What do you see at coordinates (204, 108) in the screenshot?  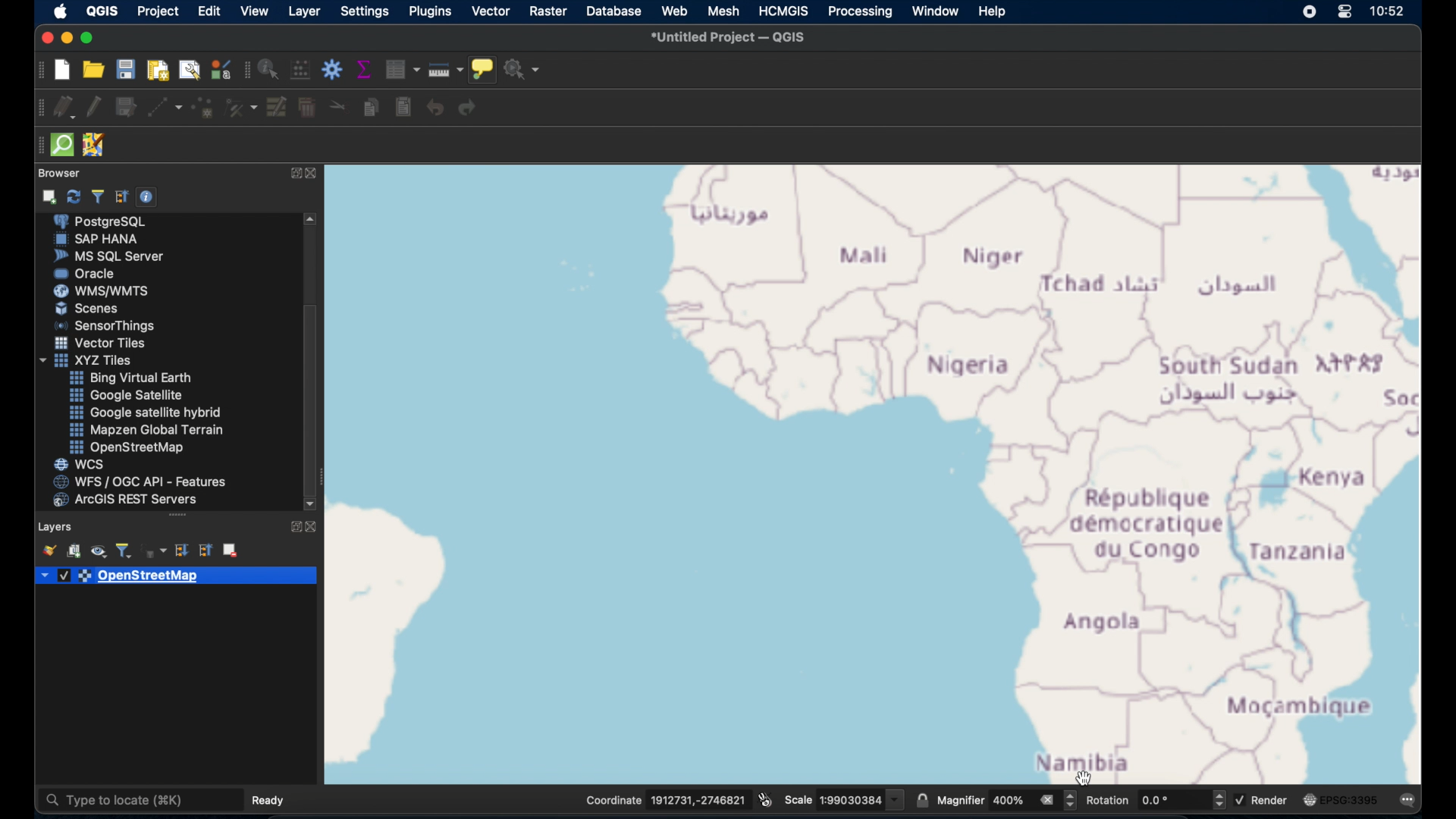 I see `add point feature` at bounding box center [204, 108].